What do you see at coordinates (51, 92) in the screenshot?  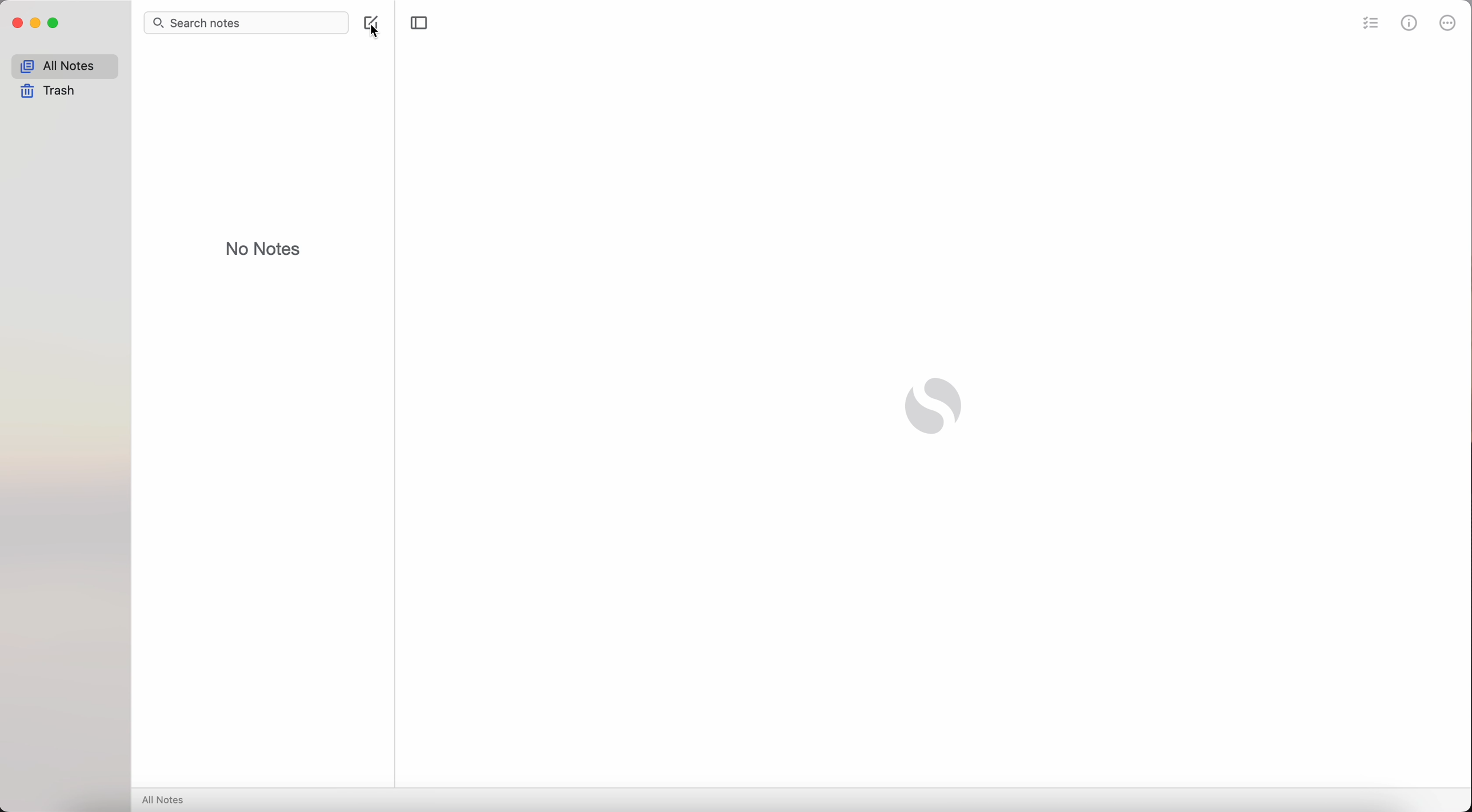 I see `trash` at bounding box center [51, 92].